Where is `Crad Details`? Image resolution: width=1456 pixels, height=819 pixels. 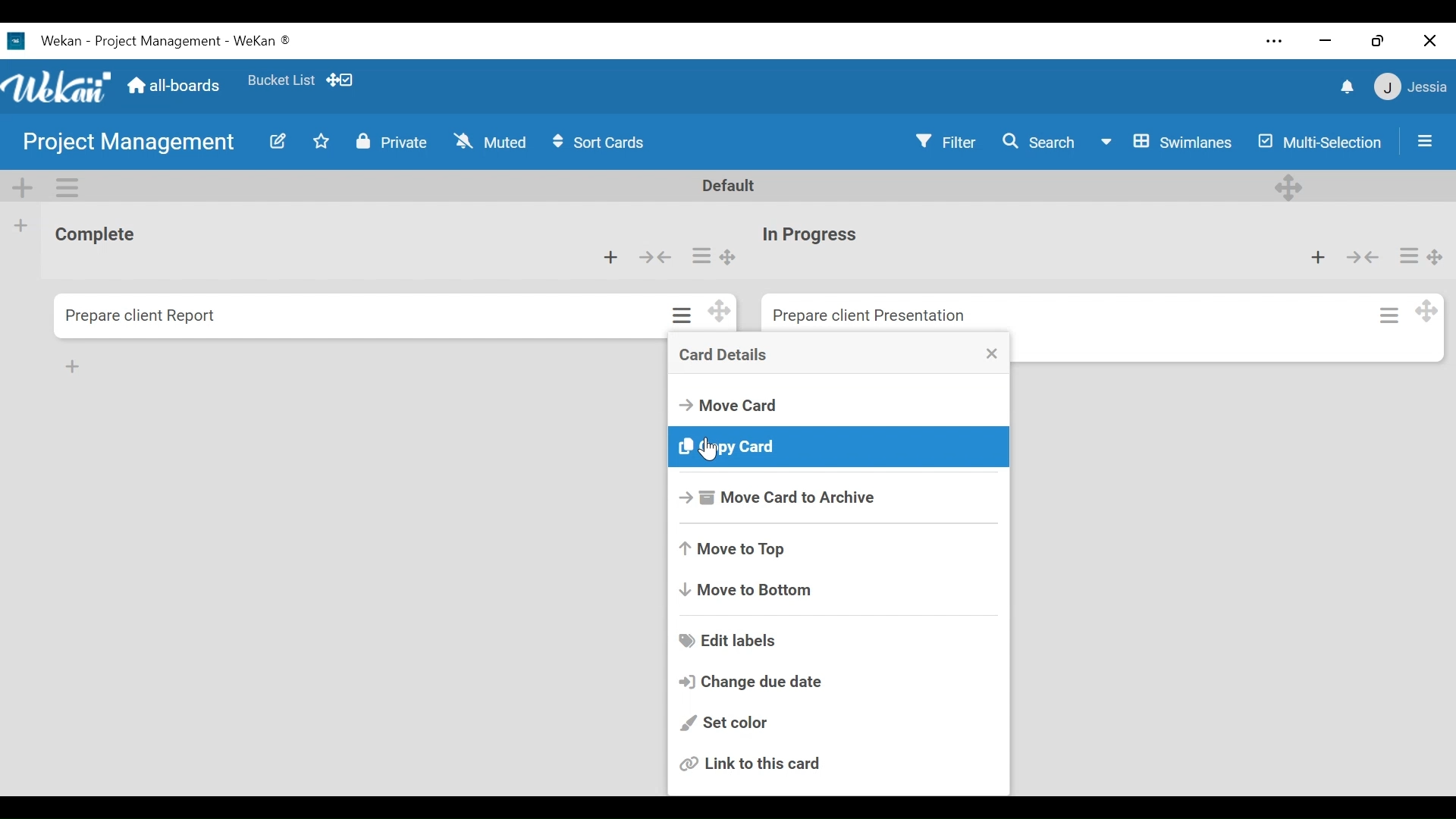 Crad Details is located at coordinates (724, 356).